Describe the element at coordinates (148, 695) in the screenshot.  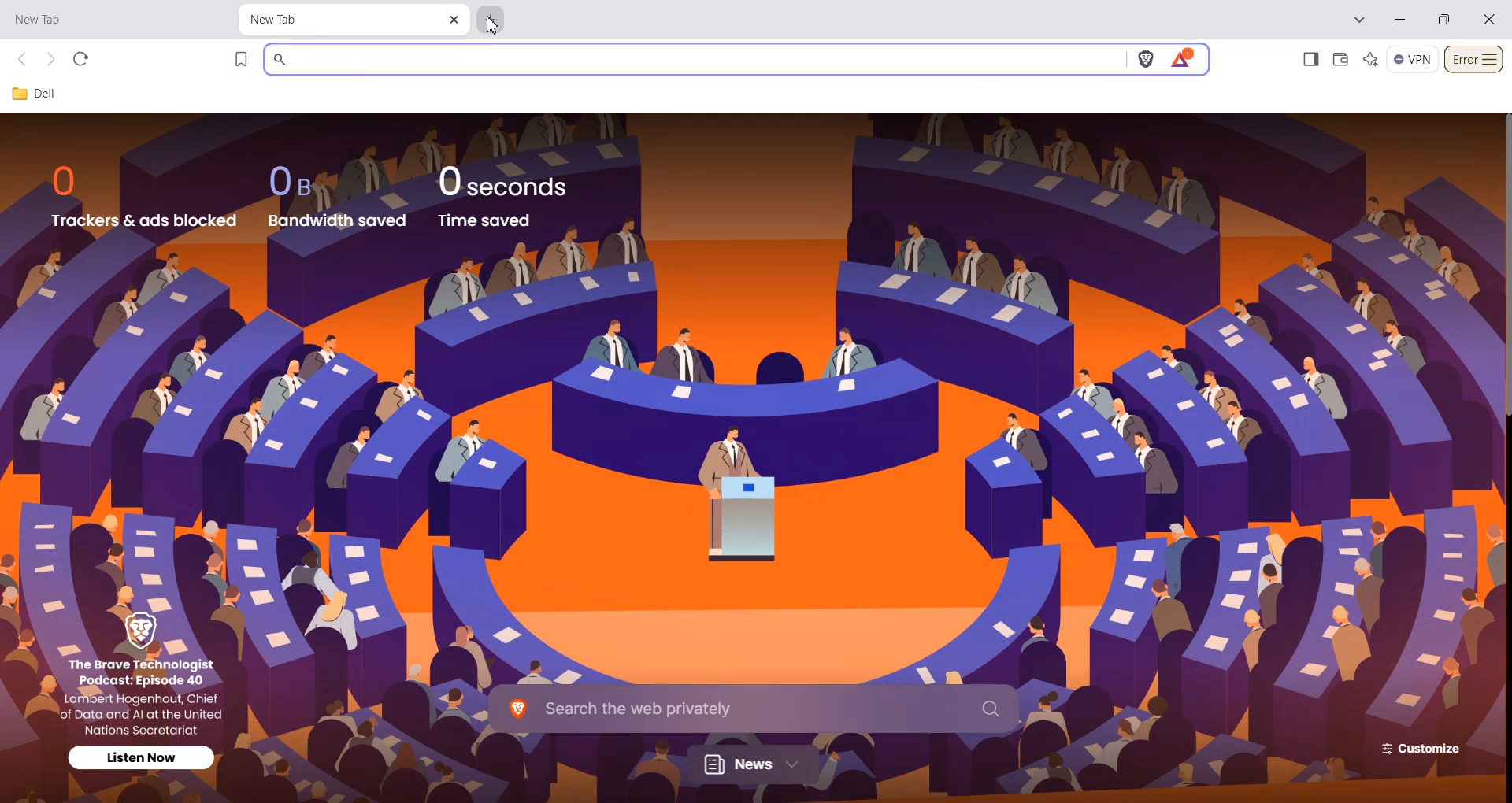
I see `The Brave TechnologistCC — 409 La Hogenhout, Chief‘of Data and Al at the UnitedNations Secretariat ` at that location.